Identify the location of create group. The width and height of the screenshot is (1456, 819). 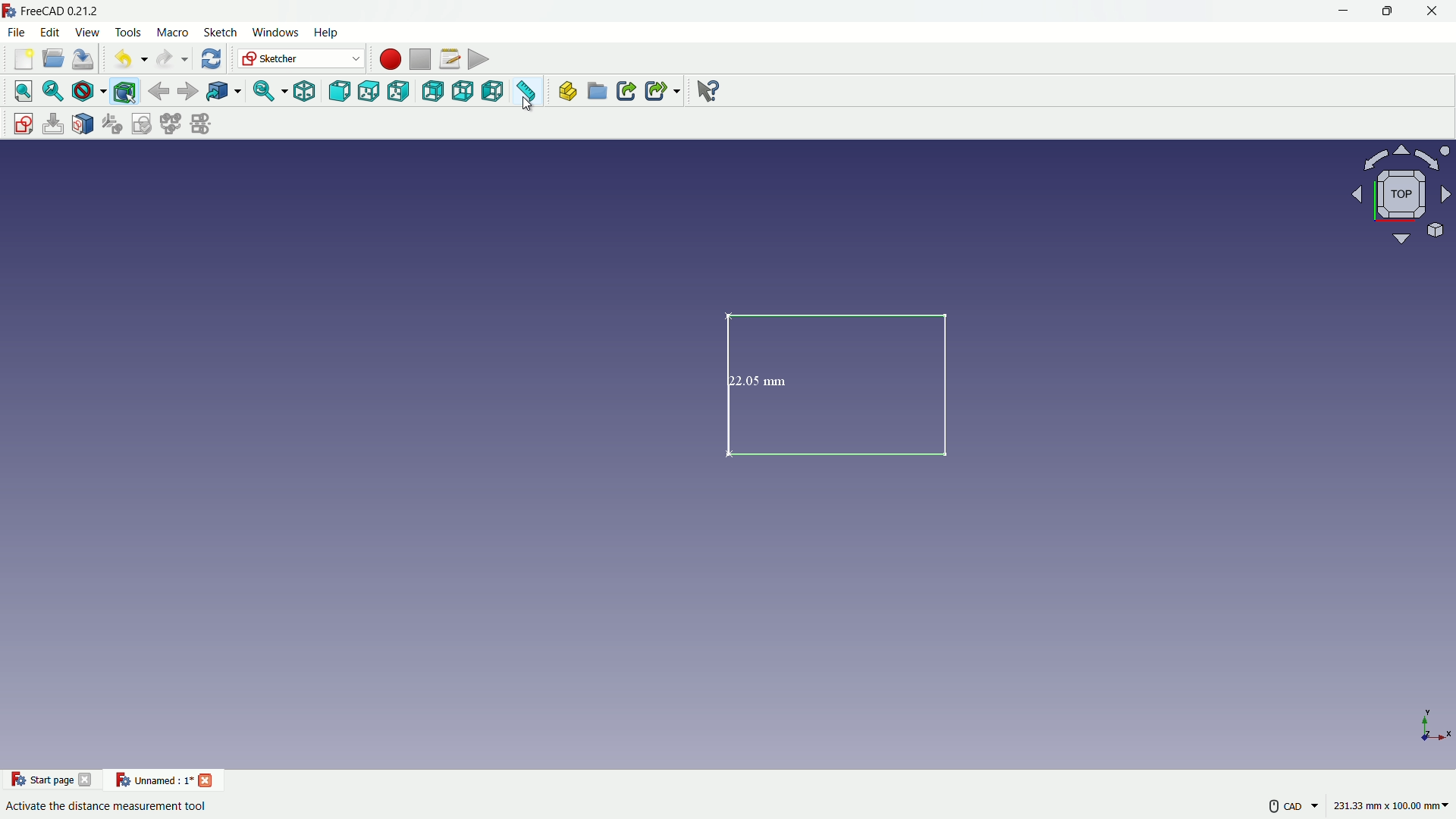
(598, 93).